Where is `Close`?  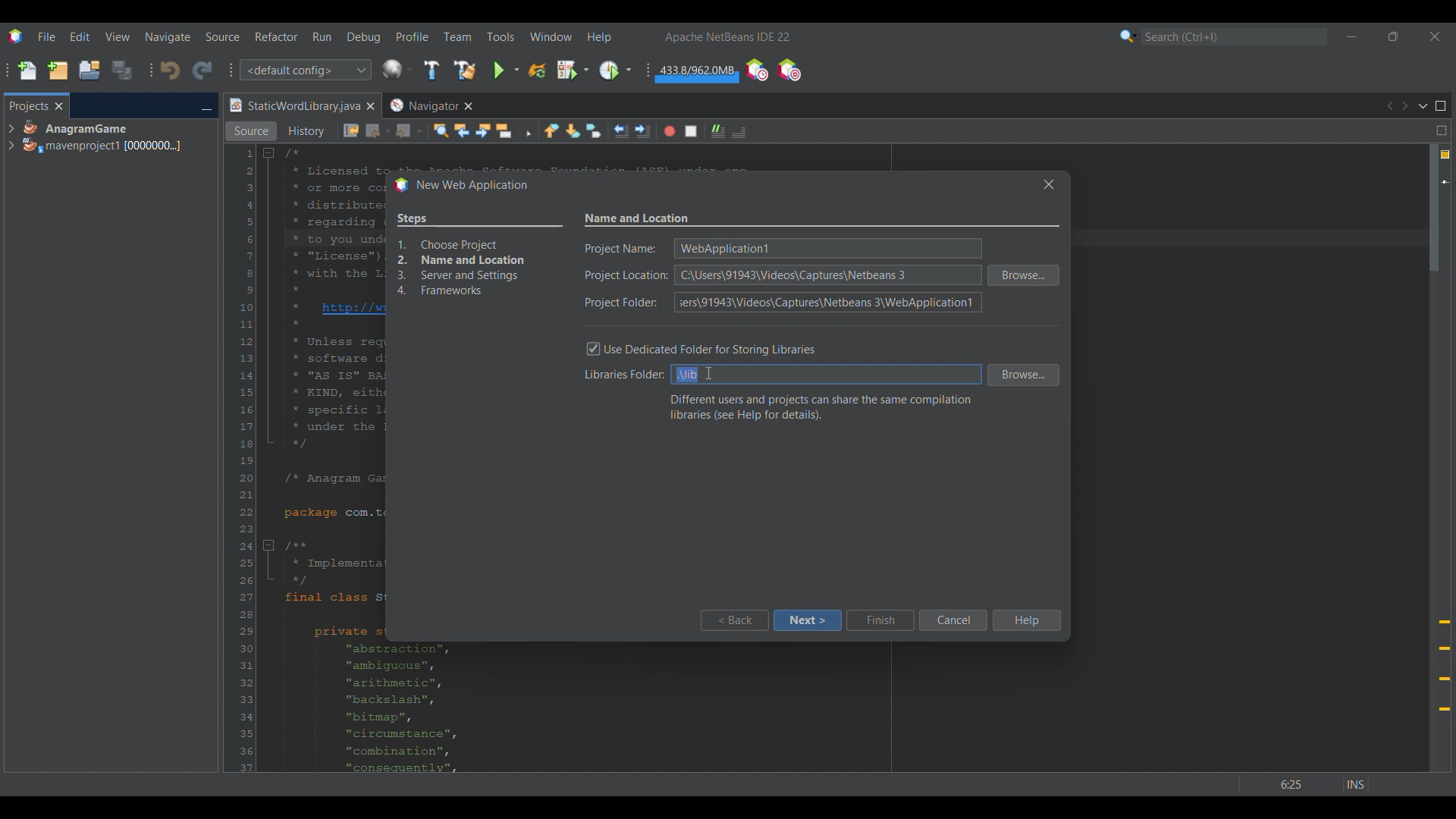
Close is located at coordinates (370, 106).